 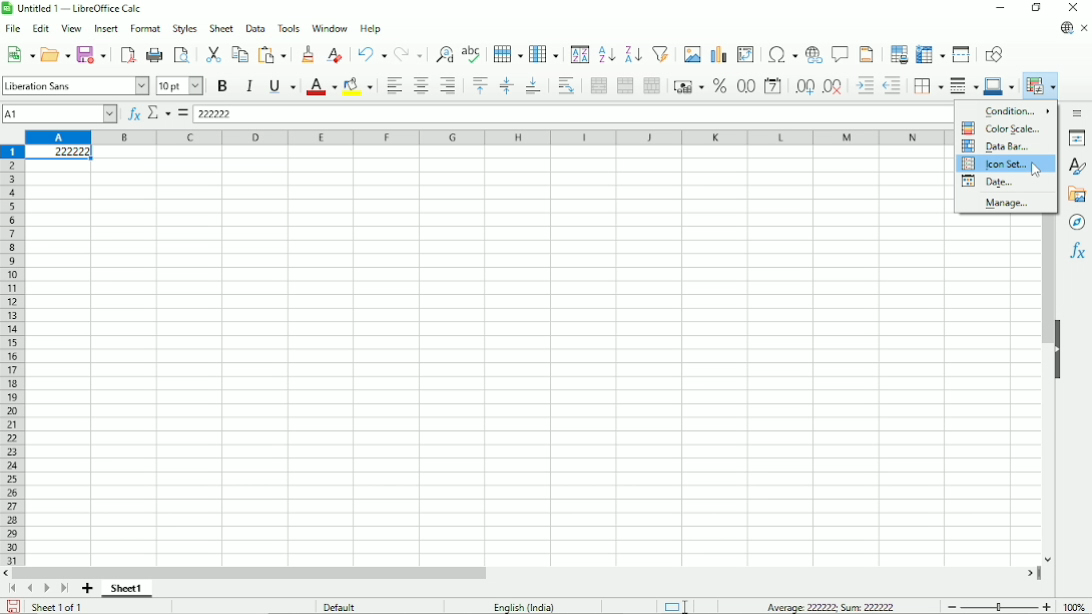 What do you see at coordinates (184, 28) in the screenshot?
I see `Styles` at bounding box center [184, 28].